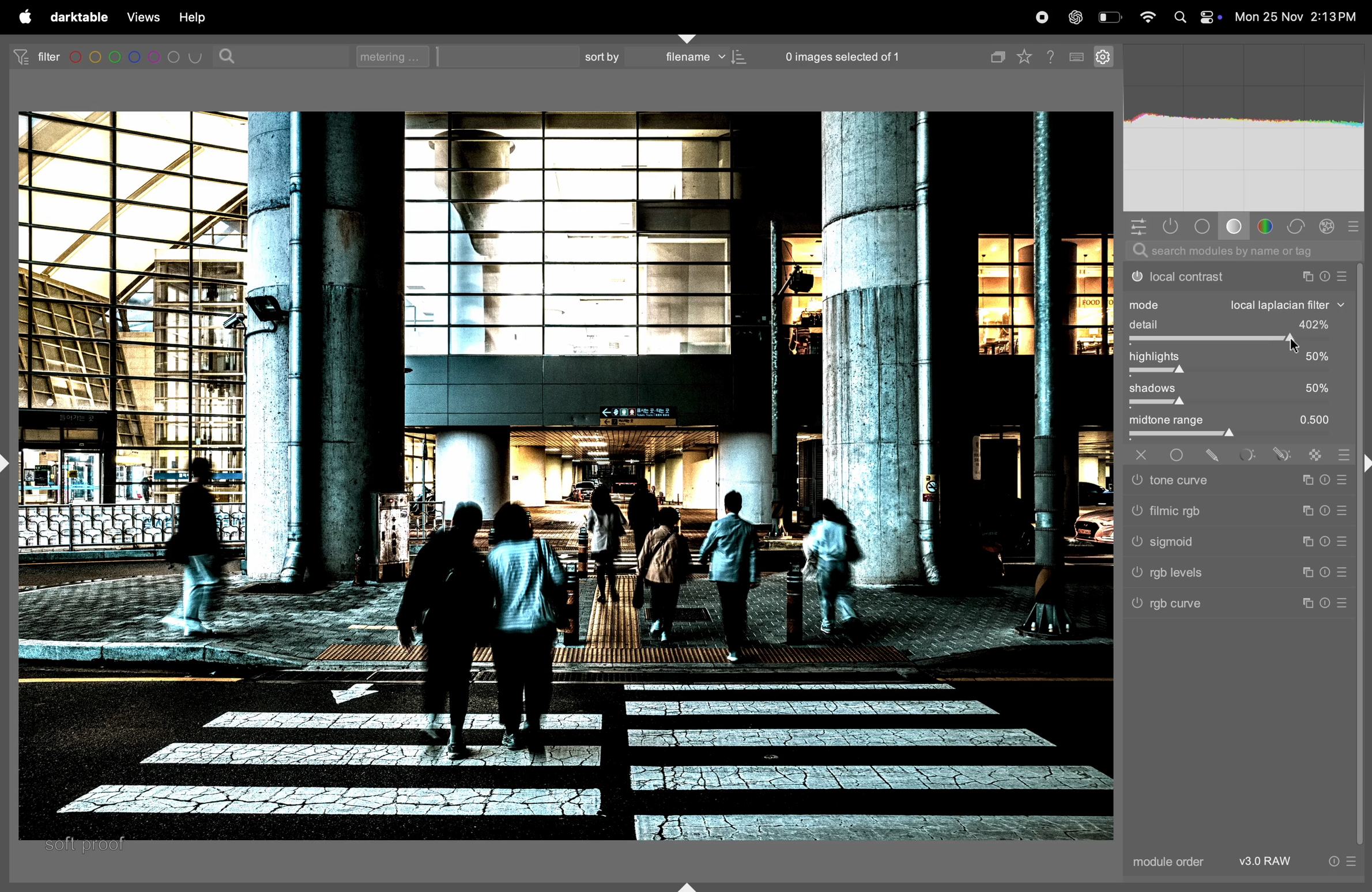 The width and height of the screenshot is (1372, 892). I want to click on sort, so click(599, 56).